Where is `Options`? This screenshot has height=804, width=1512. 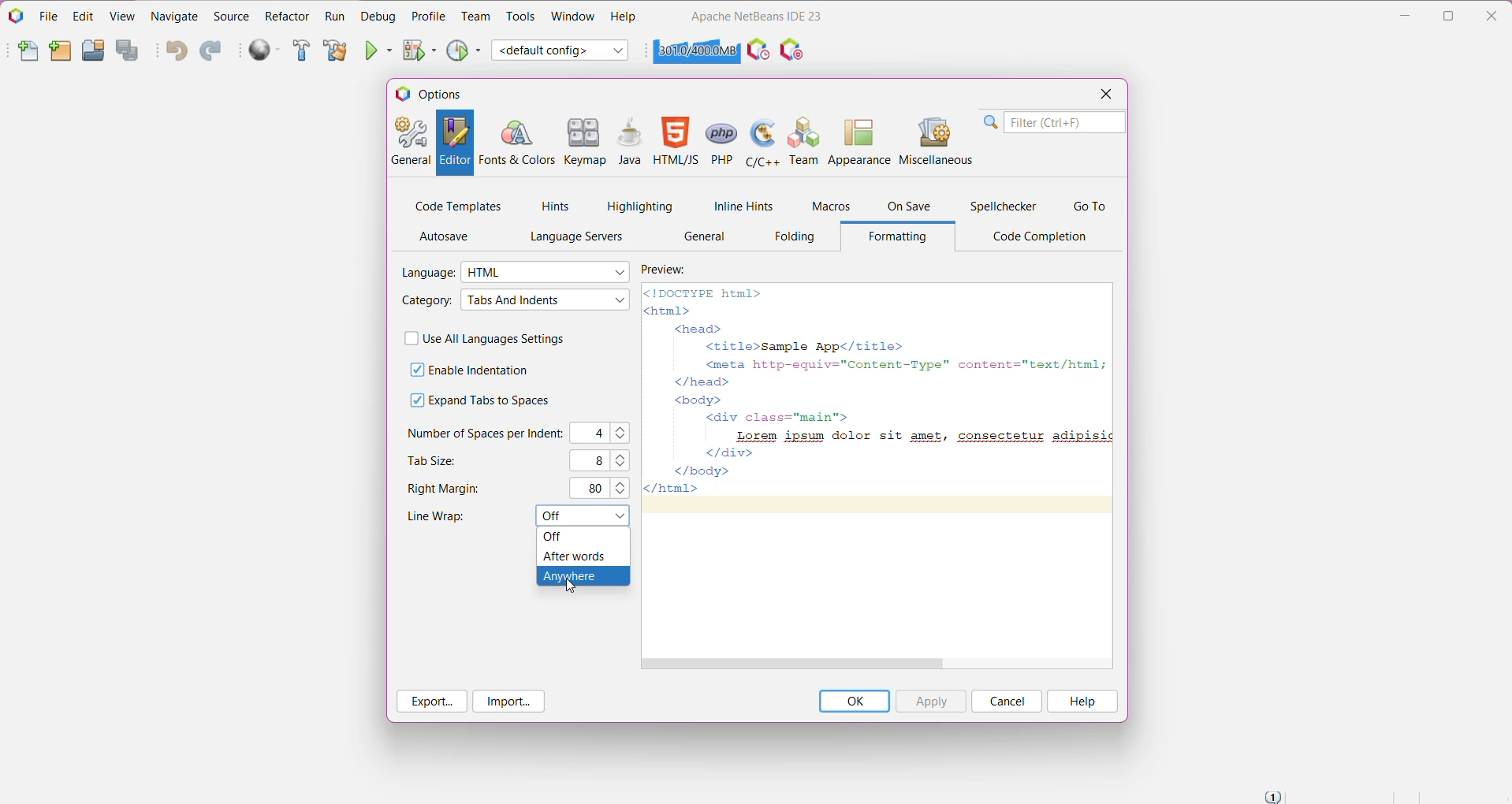 Options is located at coordinates (445, 94).